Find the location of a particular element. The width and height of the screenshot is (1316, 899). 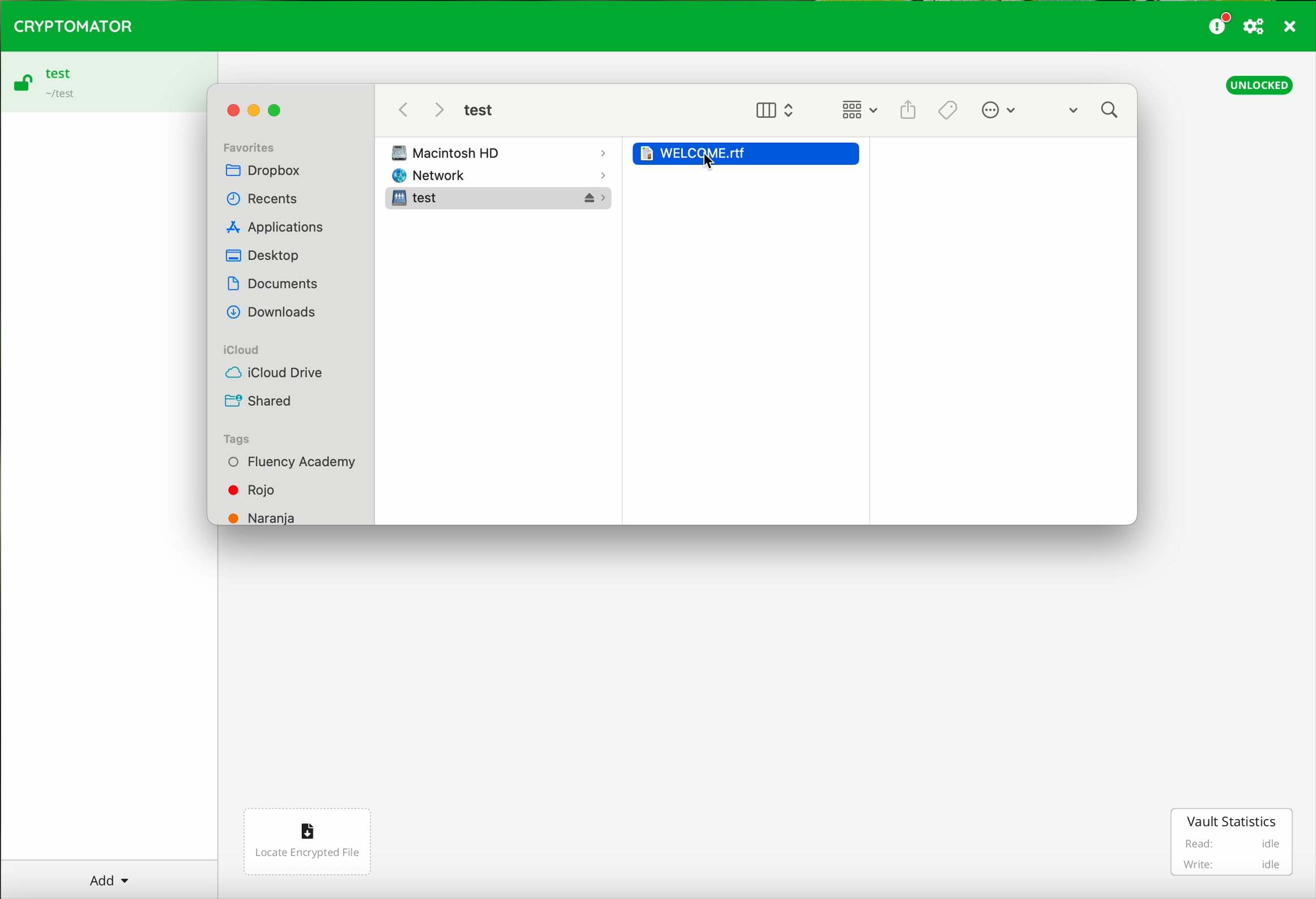

Shared is located at coordinates (259, 401).